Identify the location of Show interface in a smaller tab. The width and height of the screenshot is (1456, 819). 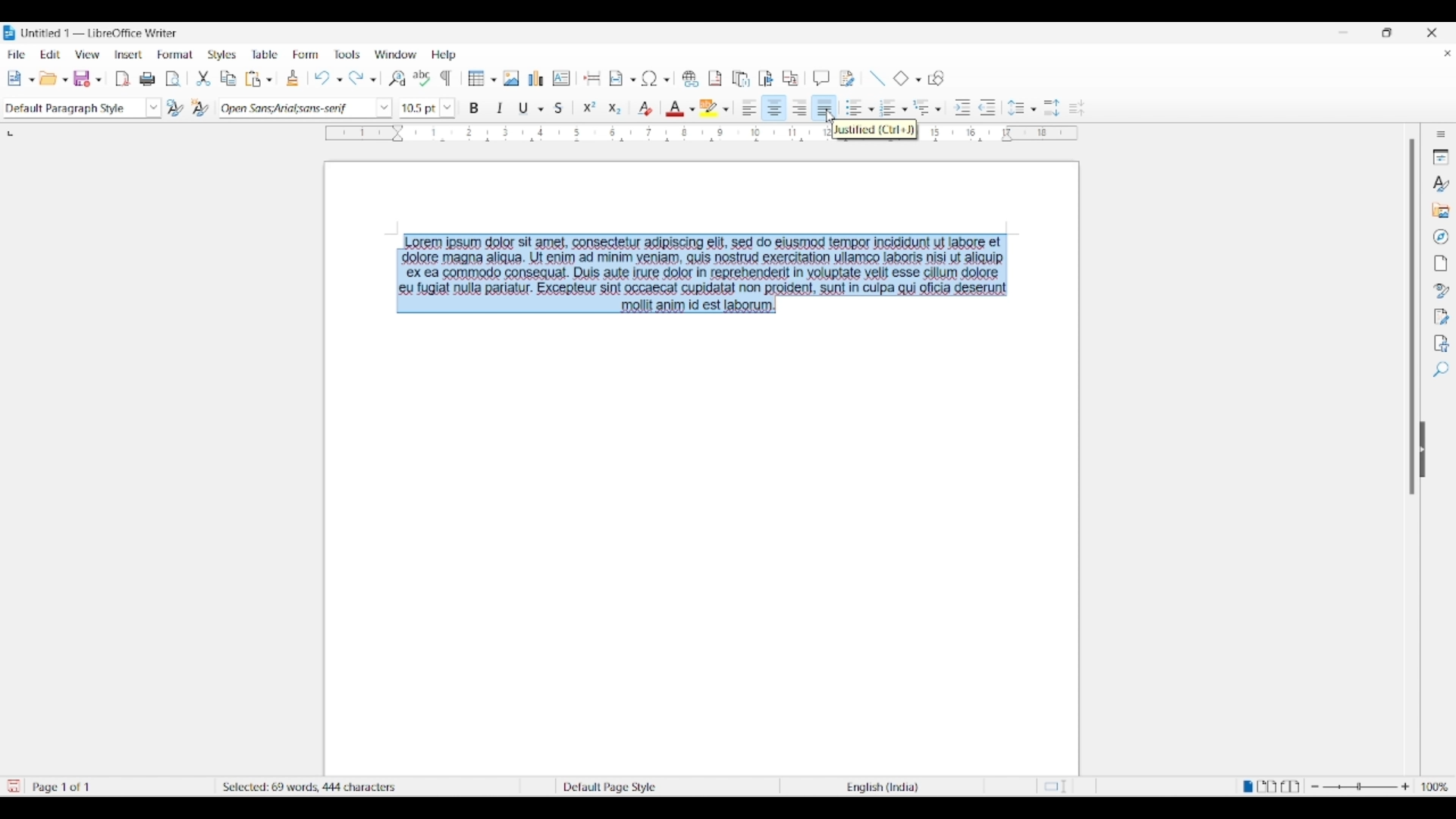
(1386, 32).